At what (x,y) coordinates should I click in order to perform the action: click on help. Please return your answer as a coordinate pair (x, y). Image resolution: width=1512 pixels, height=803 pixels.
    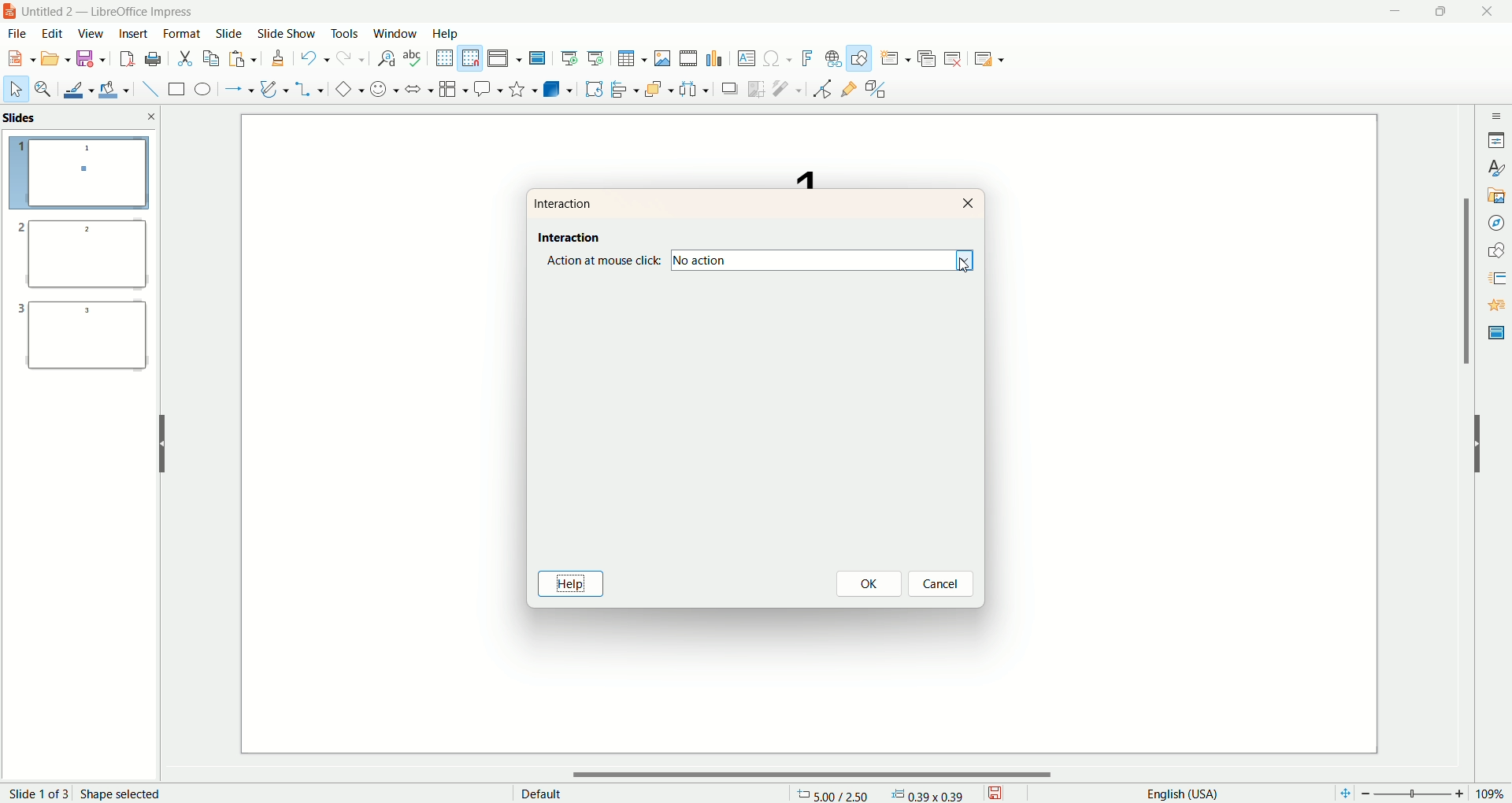
    Looking at the image, I should click on (575, 585).